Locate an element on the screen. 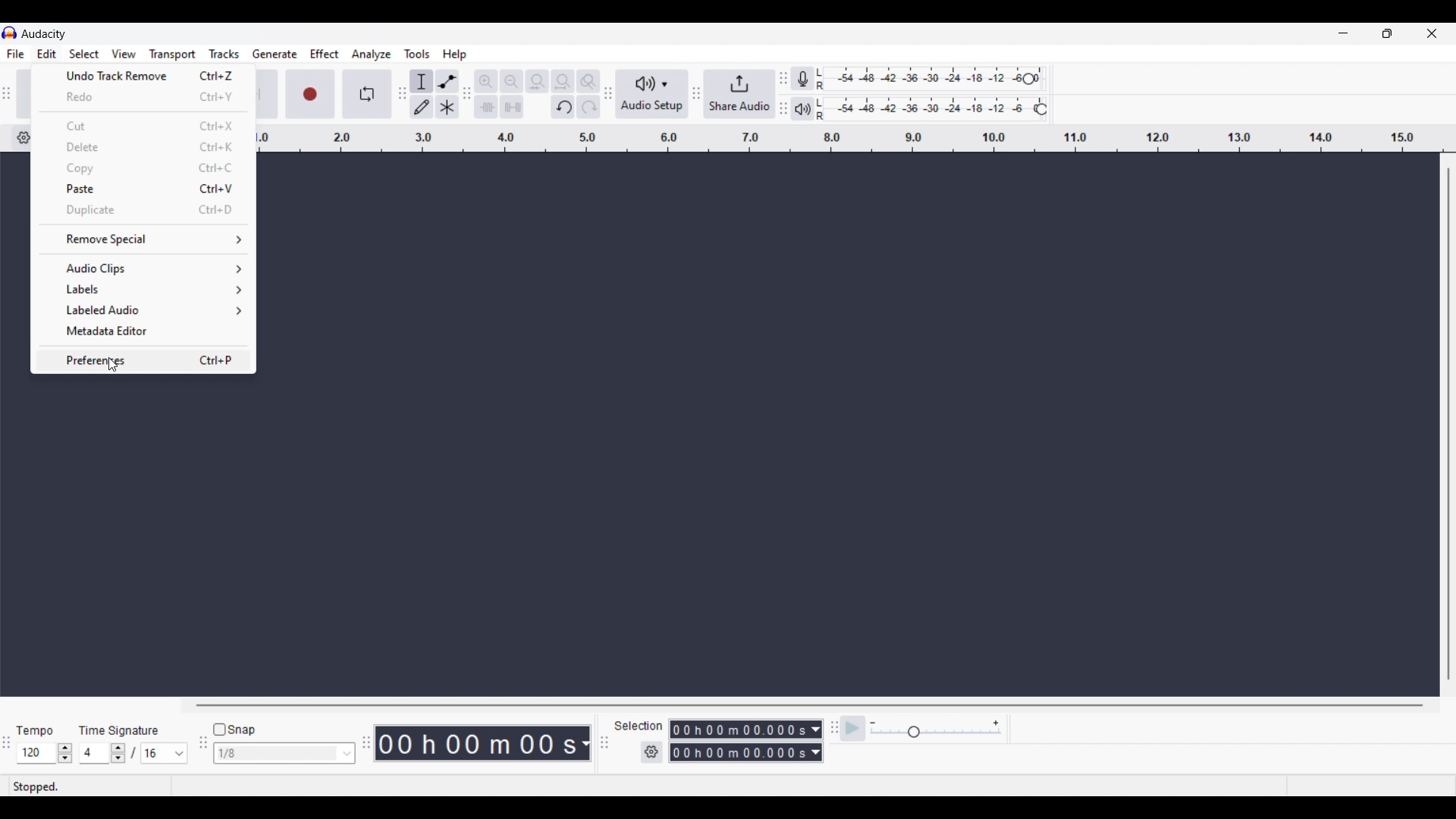 The height and width of the screenshot is (819, 1456). Selected time signature is located at coordinates (156, 754).